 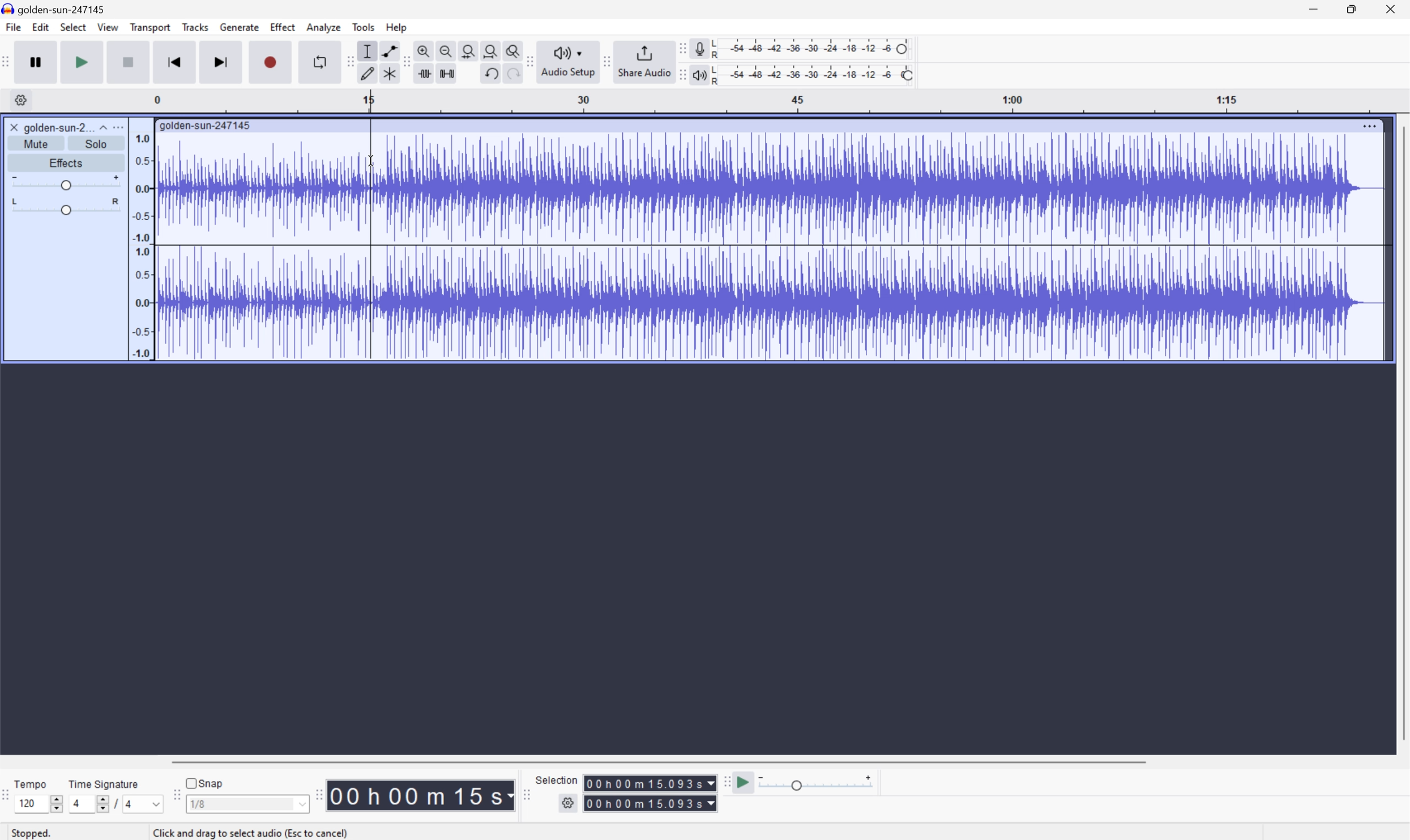 What do you see at coordinates (195, 27) in the screenshot?
I see `Tracks` at bounding box center [195, 27].